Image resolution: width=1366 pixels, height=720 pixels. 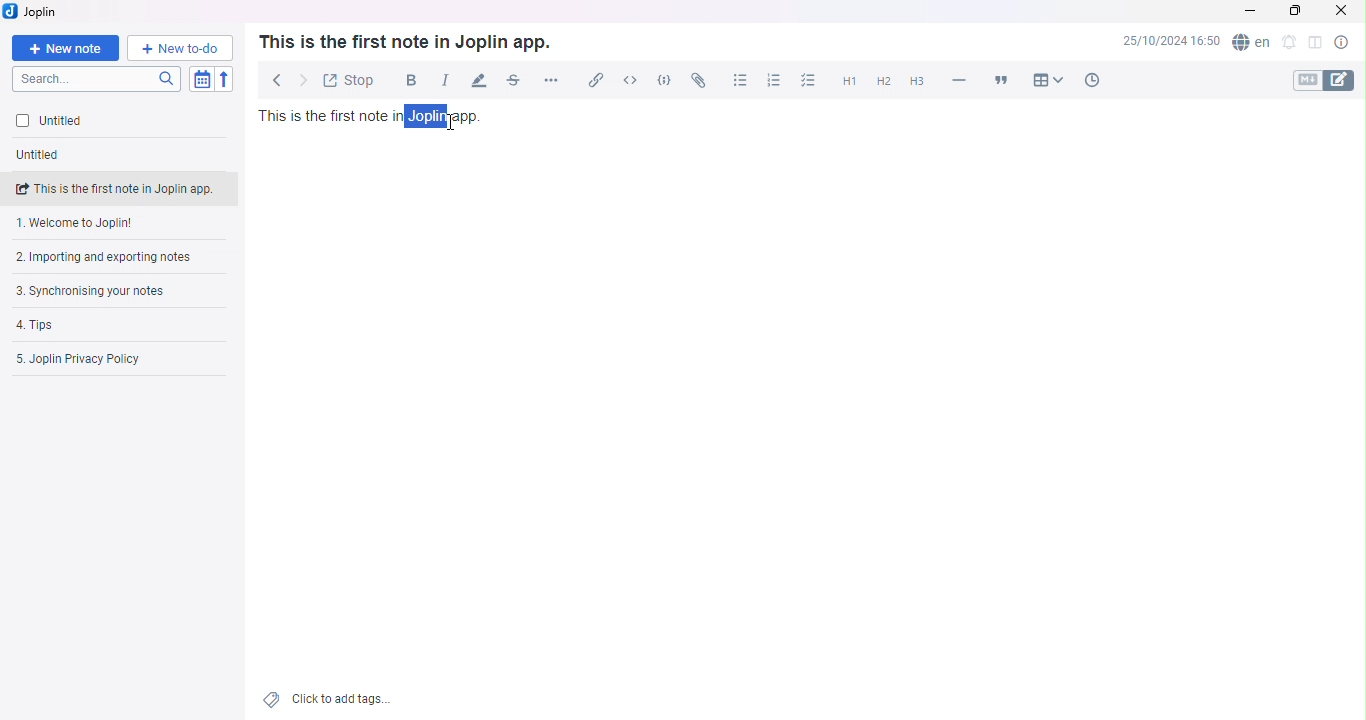 I want to click on Horizontal line, so click(x=959, y=80).